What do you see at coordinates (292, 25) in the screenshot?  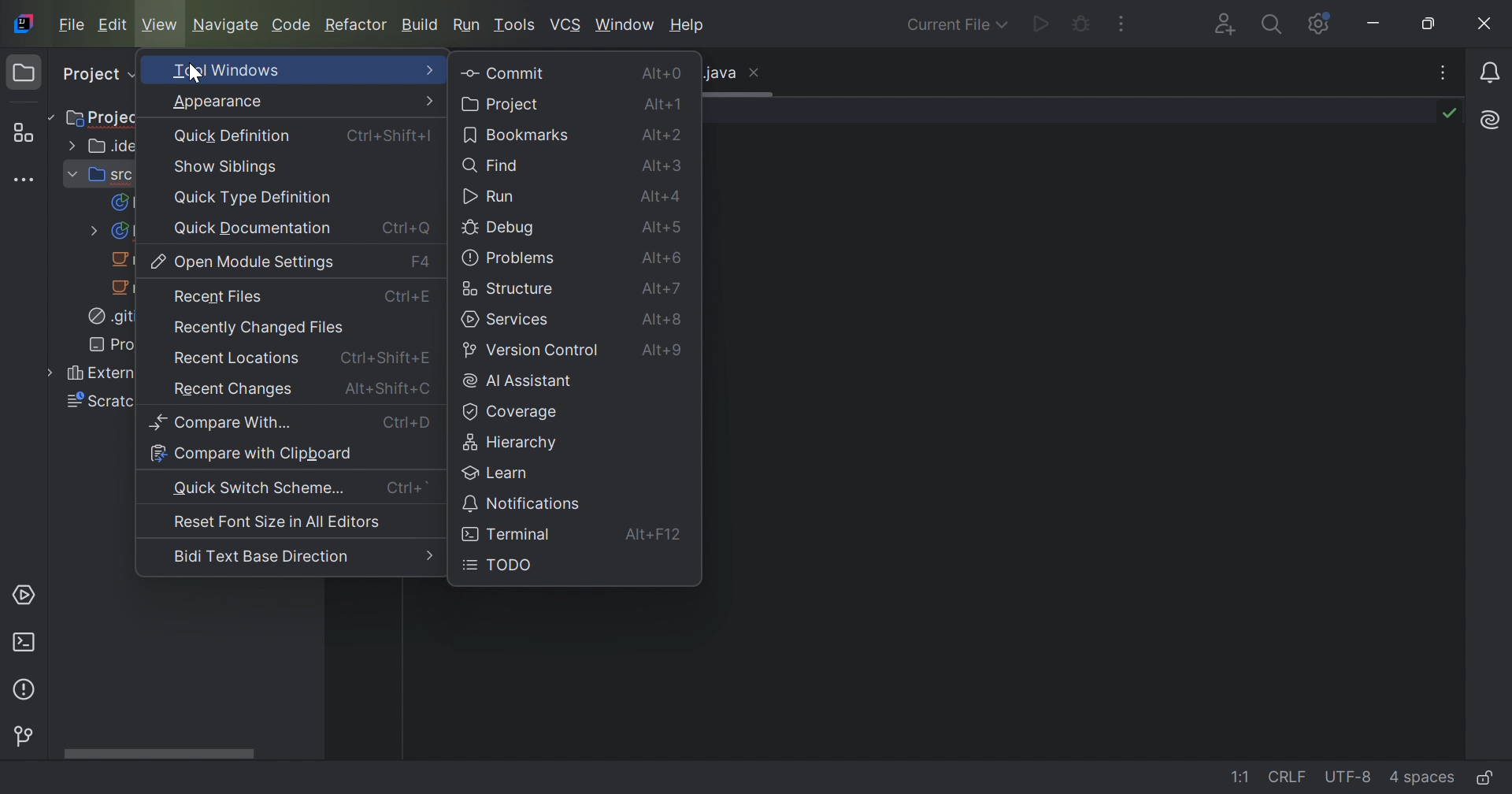 I see `ode` at bounding box center [292, 25].